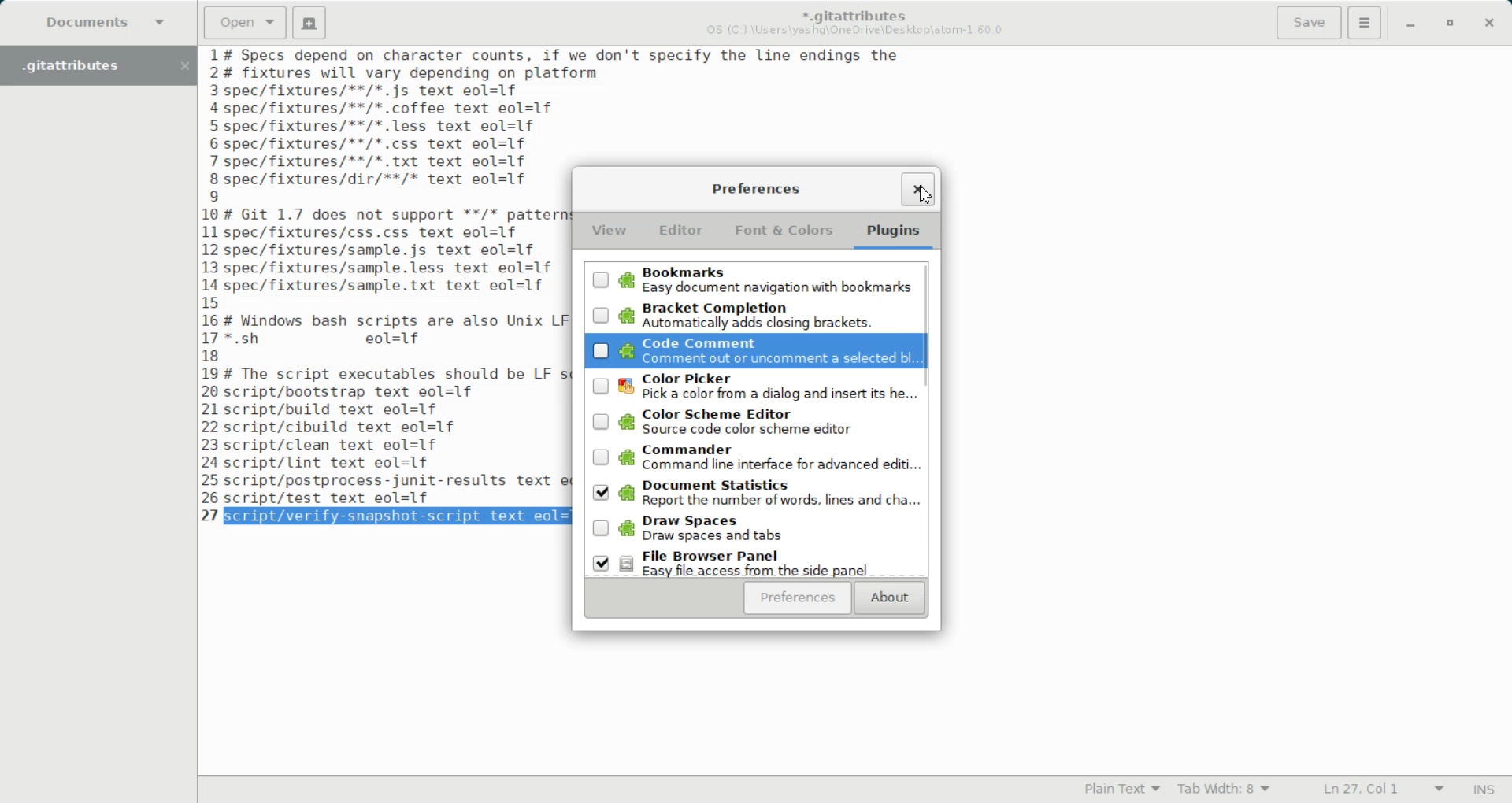 The image size is (1512, 803). What do you see at coordinates (750, 388) in the screenshot?
I see `color Picker: pick a color from a dialog and insert its he..` at bounding box center [750, 388].